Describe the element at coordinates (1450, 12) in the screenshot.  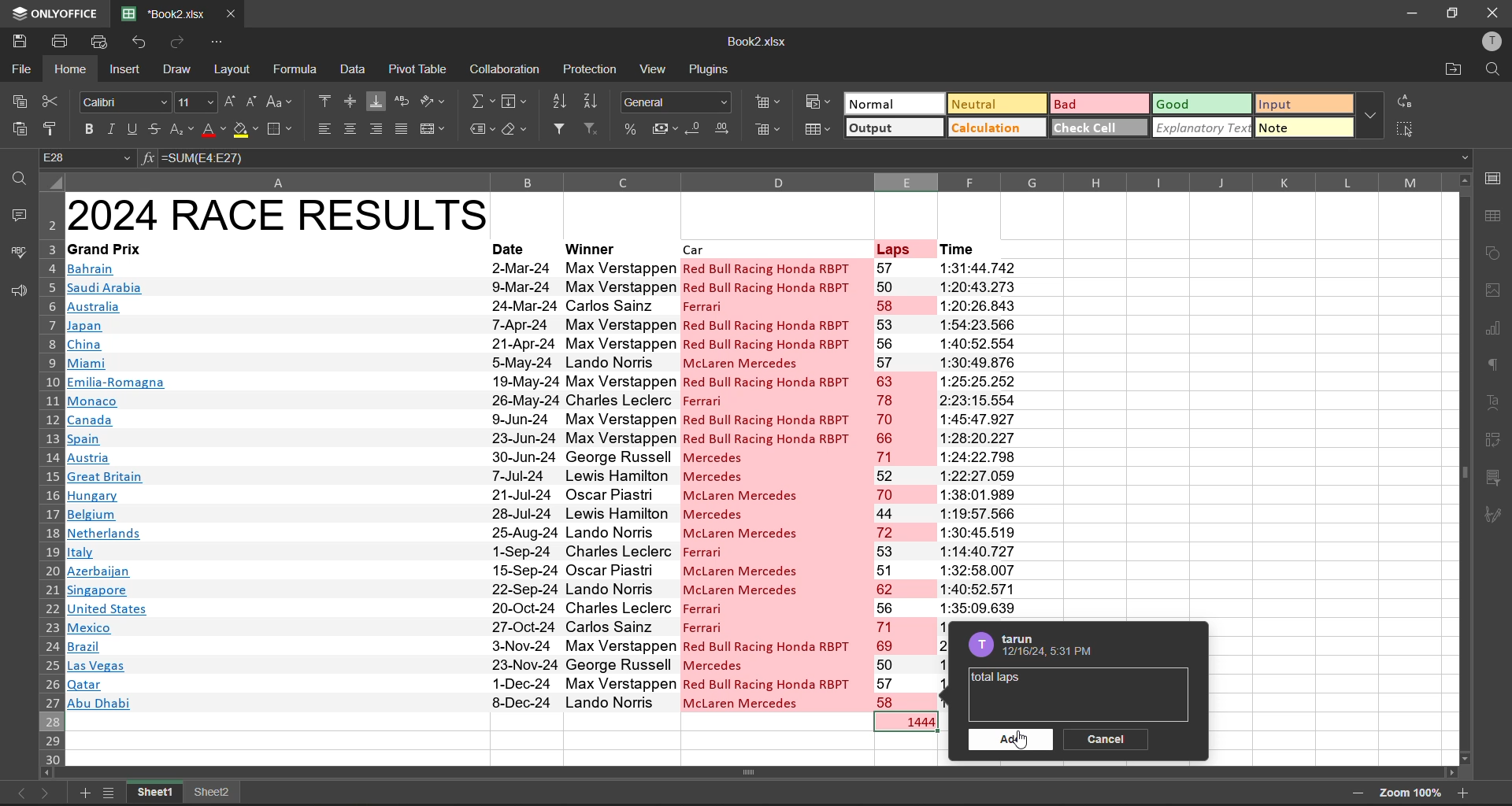
I see `maximize` at that location.